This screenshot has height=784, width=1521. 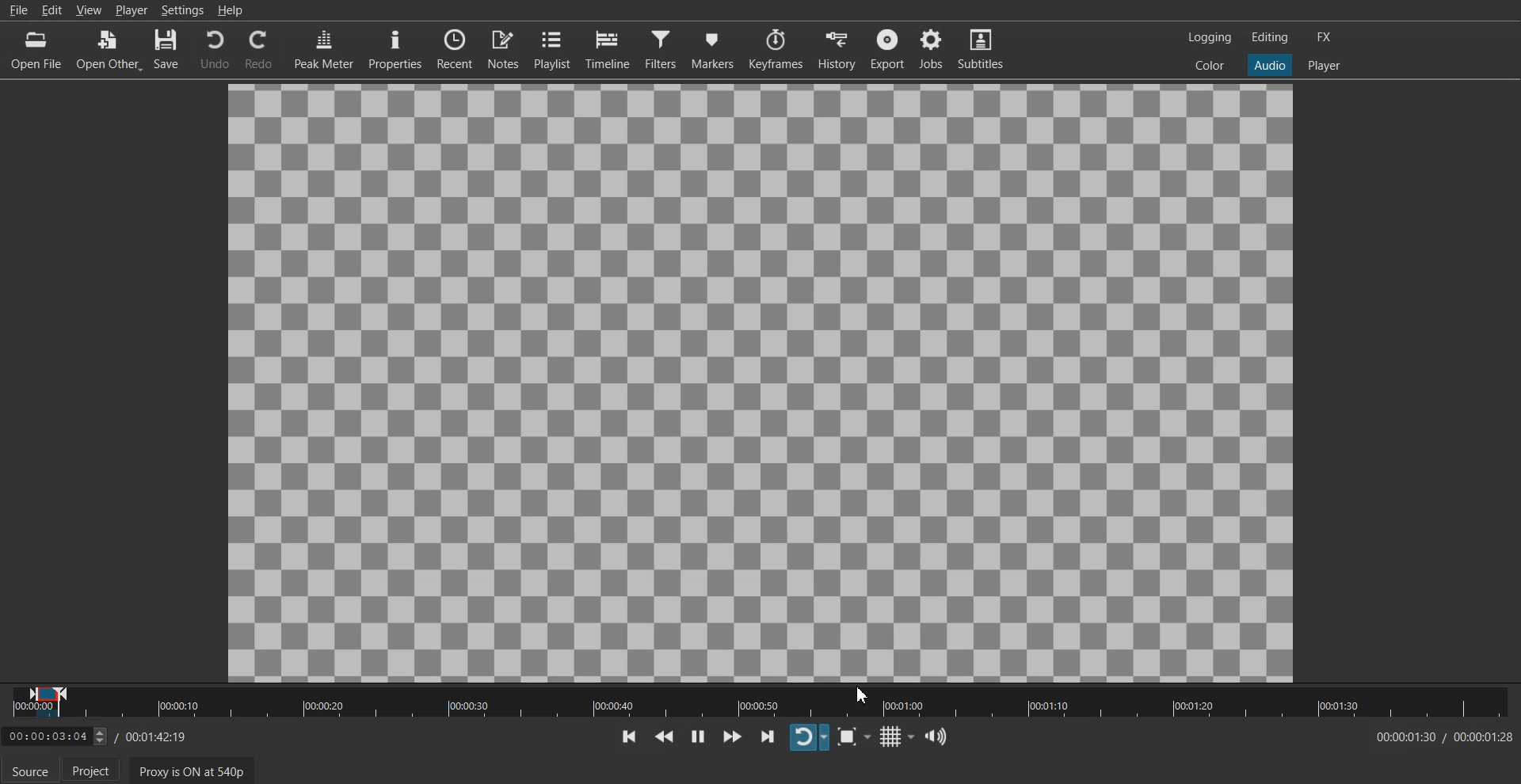 What do you see at coordinates (629, 736) in the screenshot?
I see `Skip To previous point` at bounding box center [629, 736].